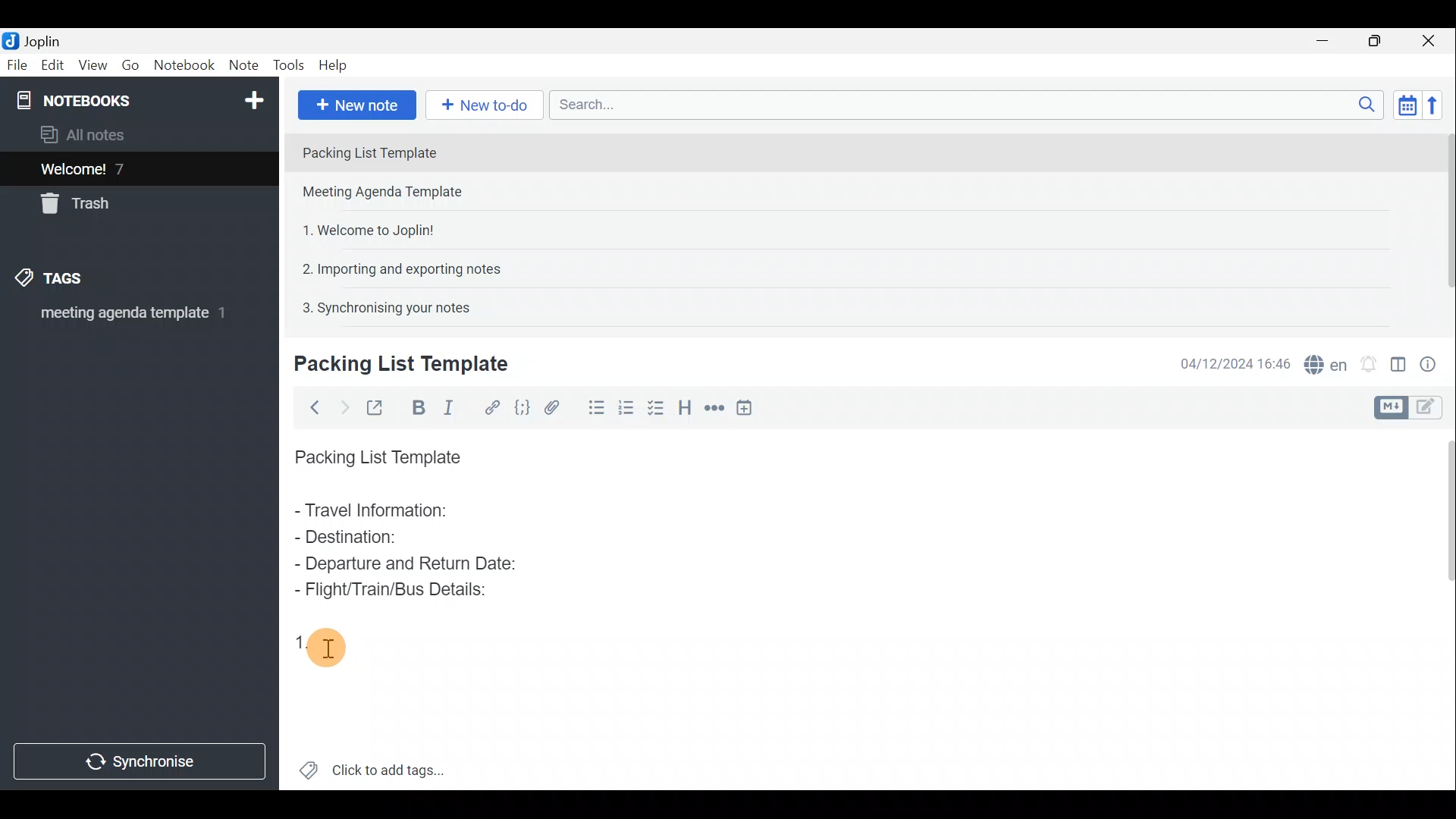 This screenshot has width=1456, height=819. What do you see at coordinates (290, 66) in the screenshot?
I see `Tools` at bounding box center [290, 66].